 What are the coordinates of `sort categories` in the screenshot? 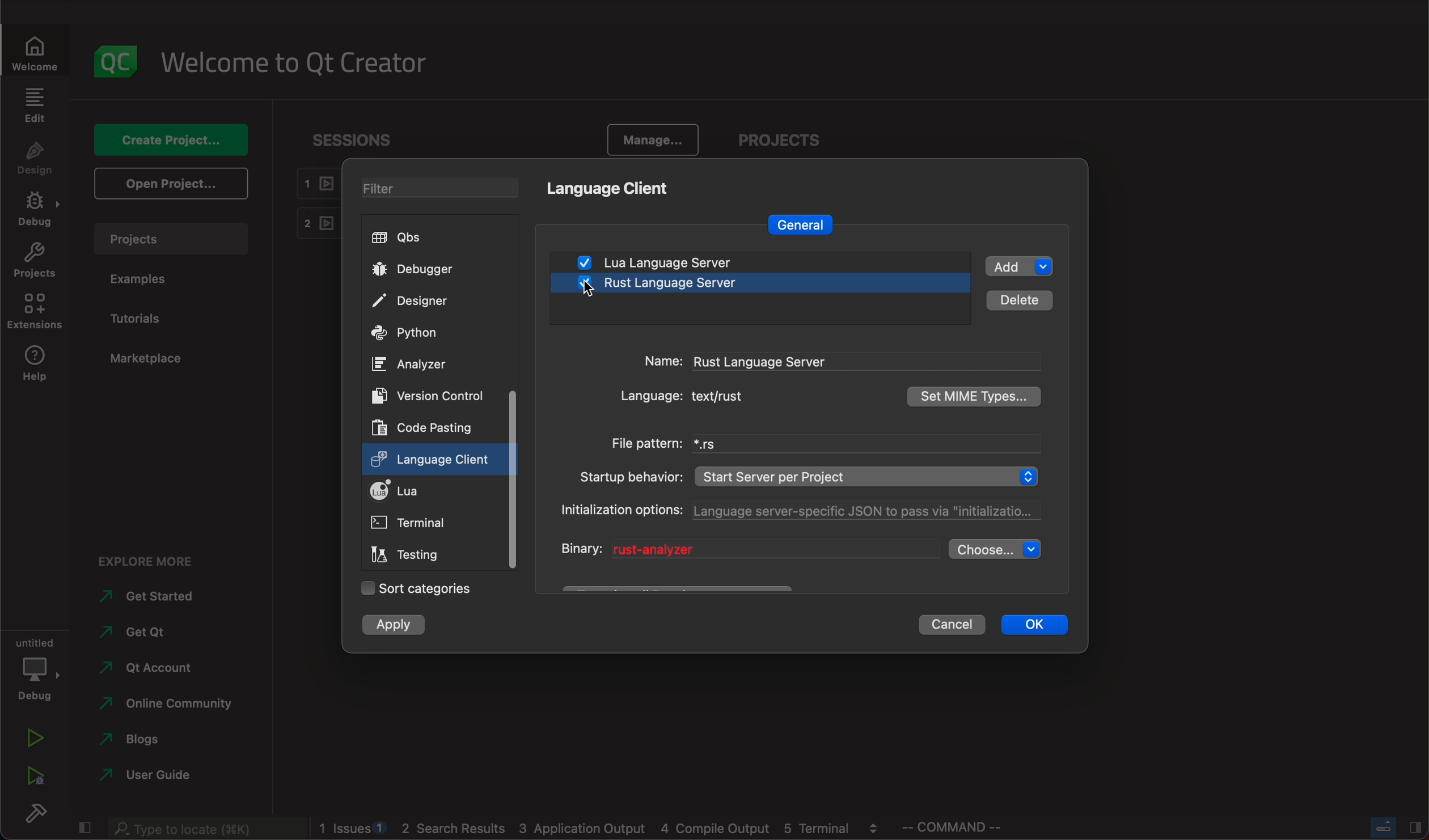 It's located at (416, 587).